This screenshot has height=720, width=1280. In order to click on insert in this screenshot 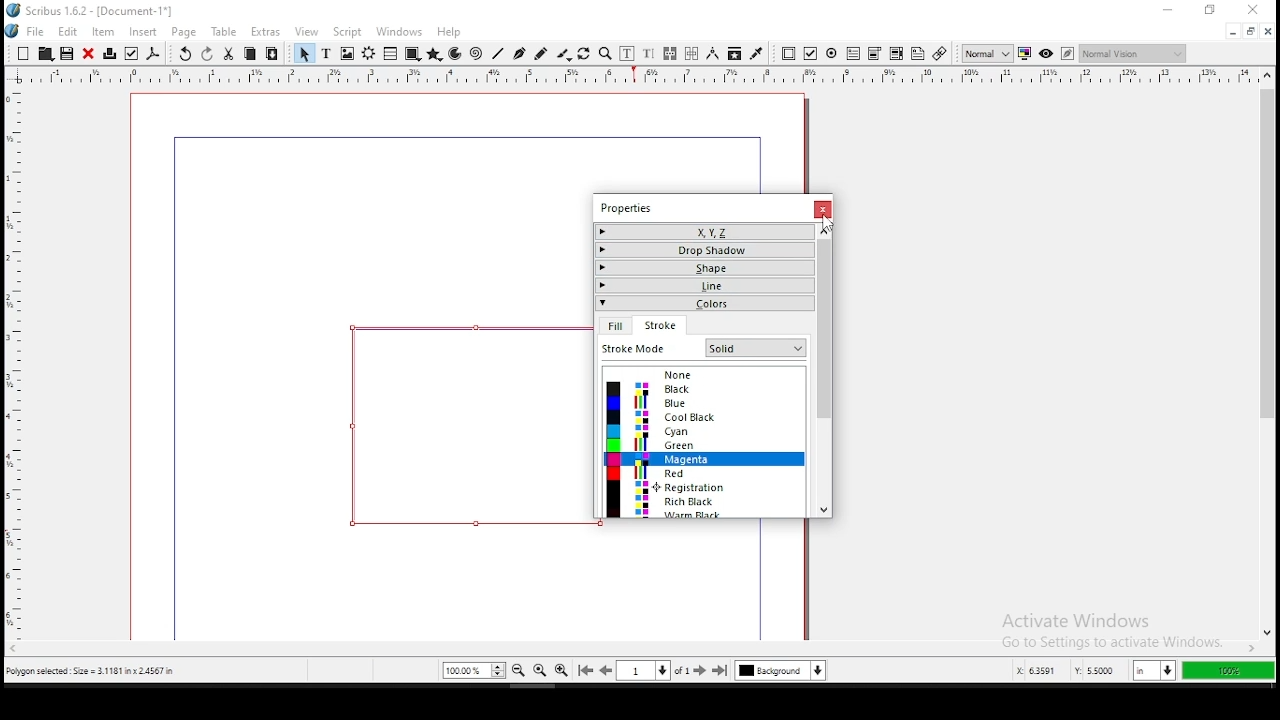, I will do `click(144, 32)`.